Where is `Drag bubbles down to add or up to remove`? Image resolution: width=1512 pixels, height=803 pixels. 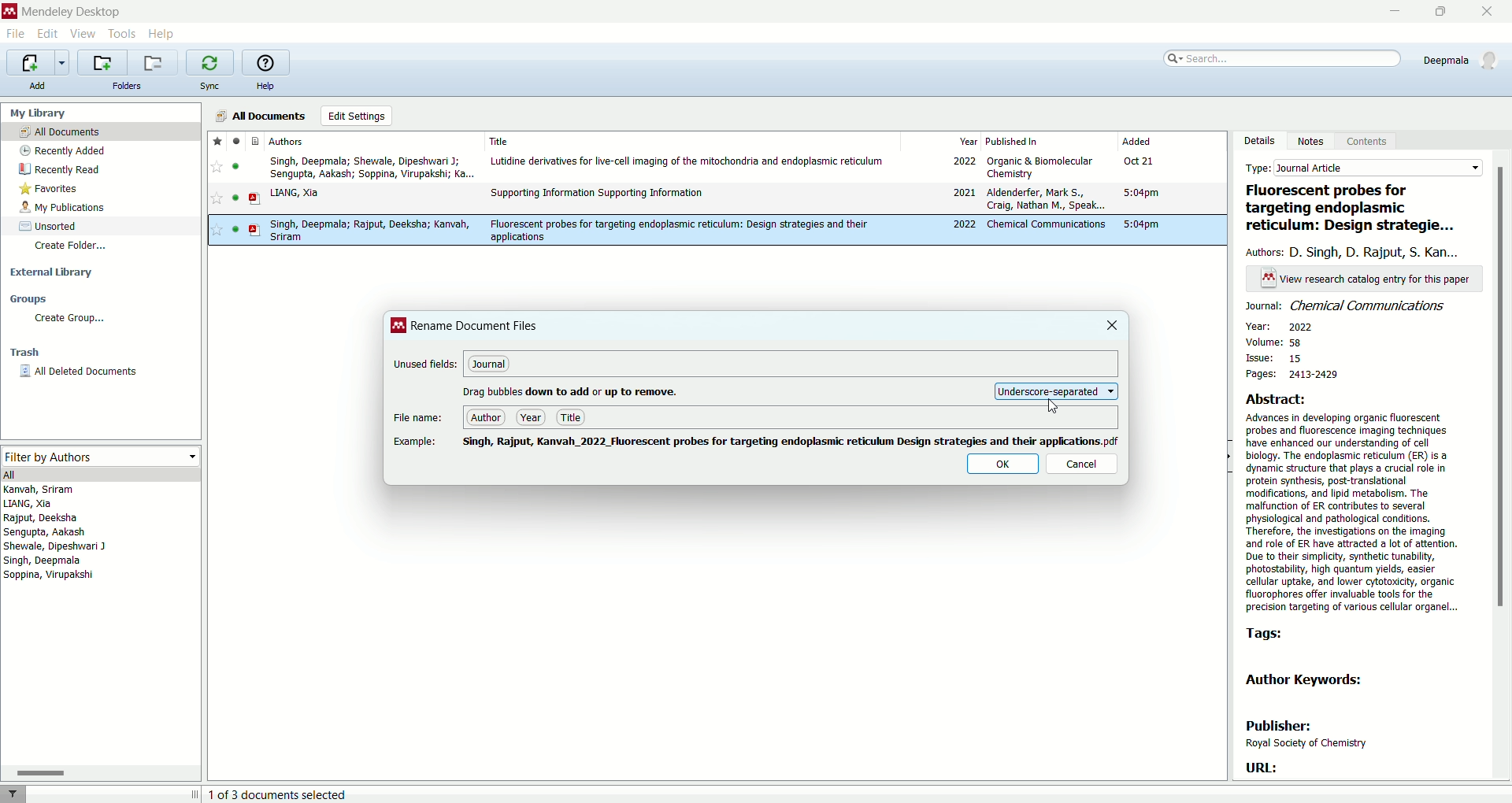 Drag bubbles down to add or up to remove is located at coordinates (573, 389).